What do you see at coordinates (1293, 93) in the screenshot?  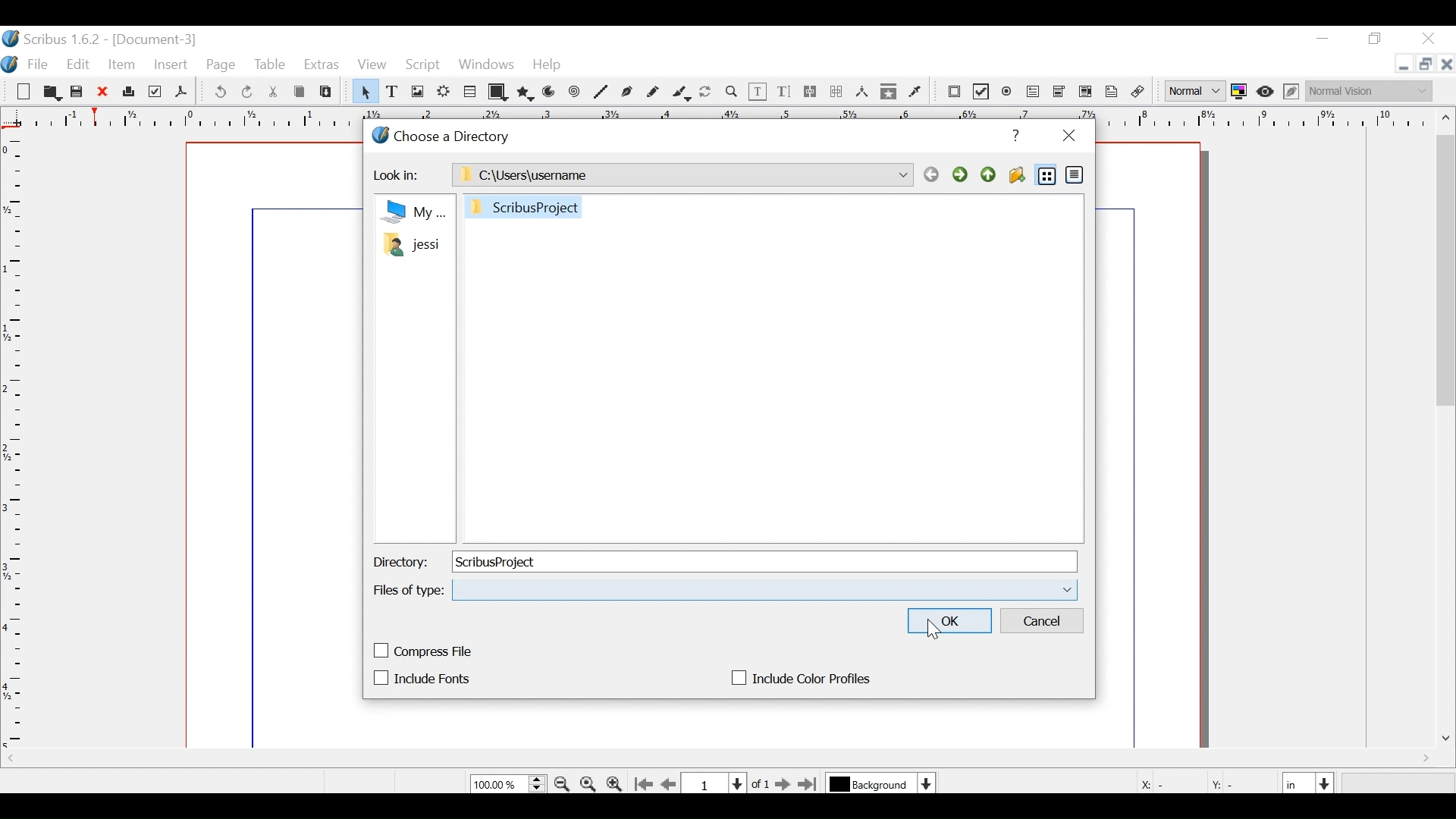 I see `Edit Preview mode` at bounding box center [1293, 93].